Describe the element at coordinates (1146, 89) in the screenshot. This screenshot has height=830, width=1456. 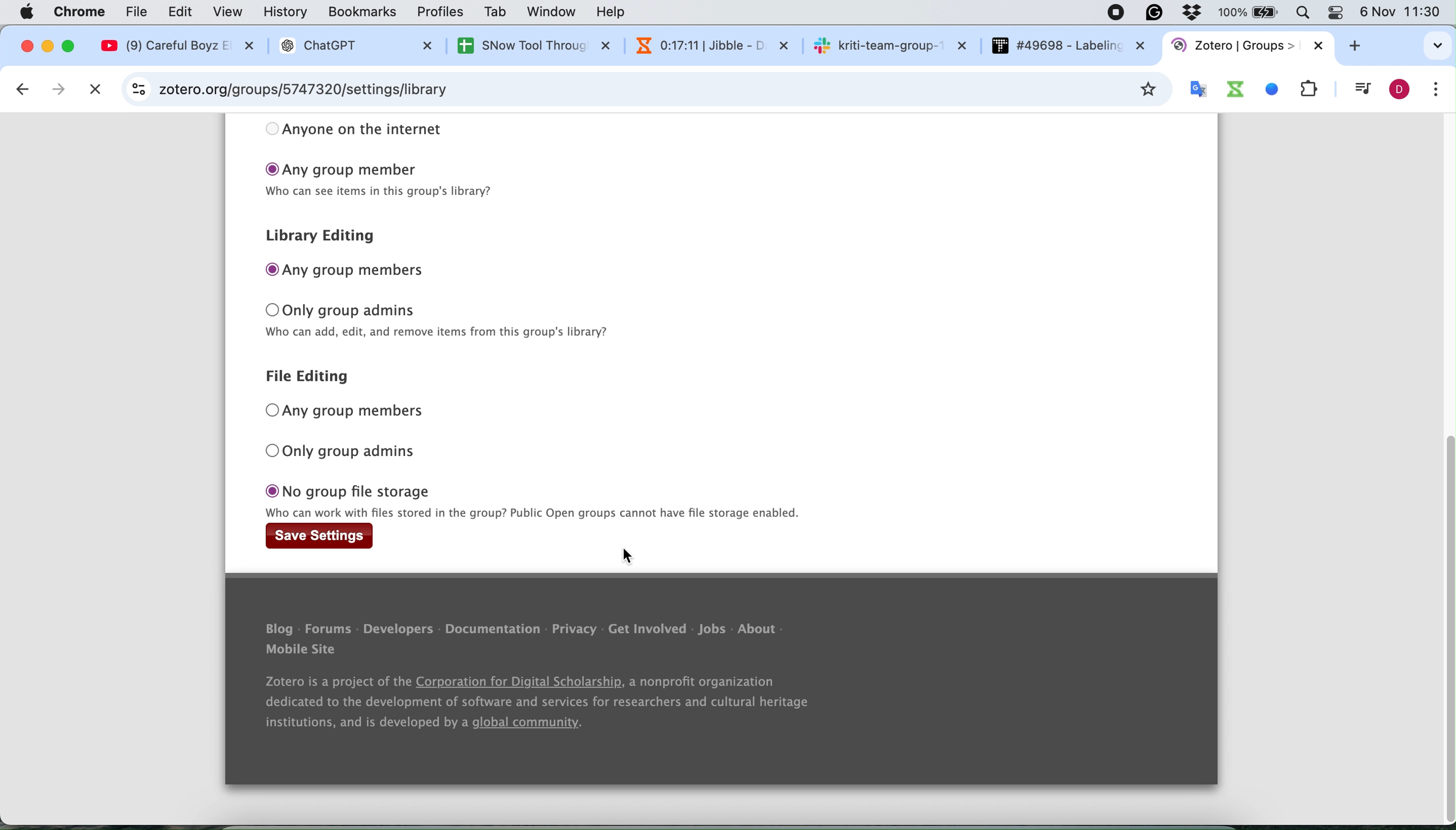
I see `bookmark` at that location.